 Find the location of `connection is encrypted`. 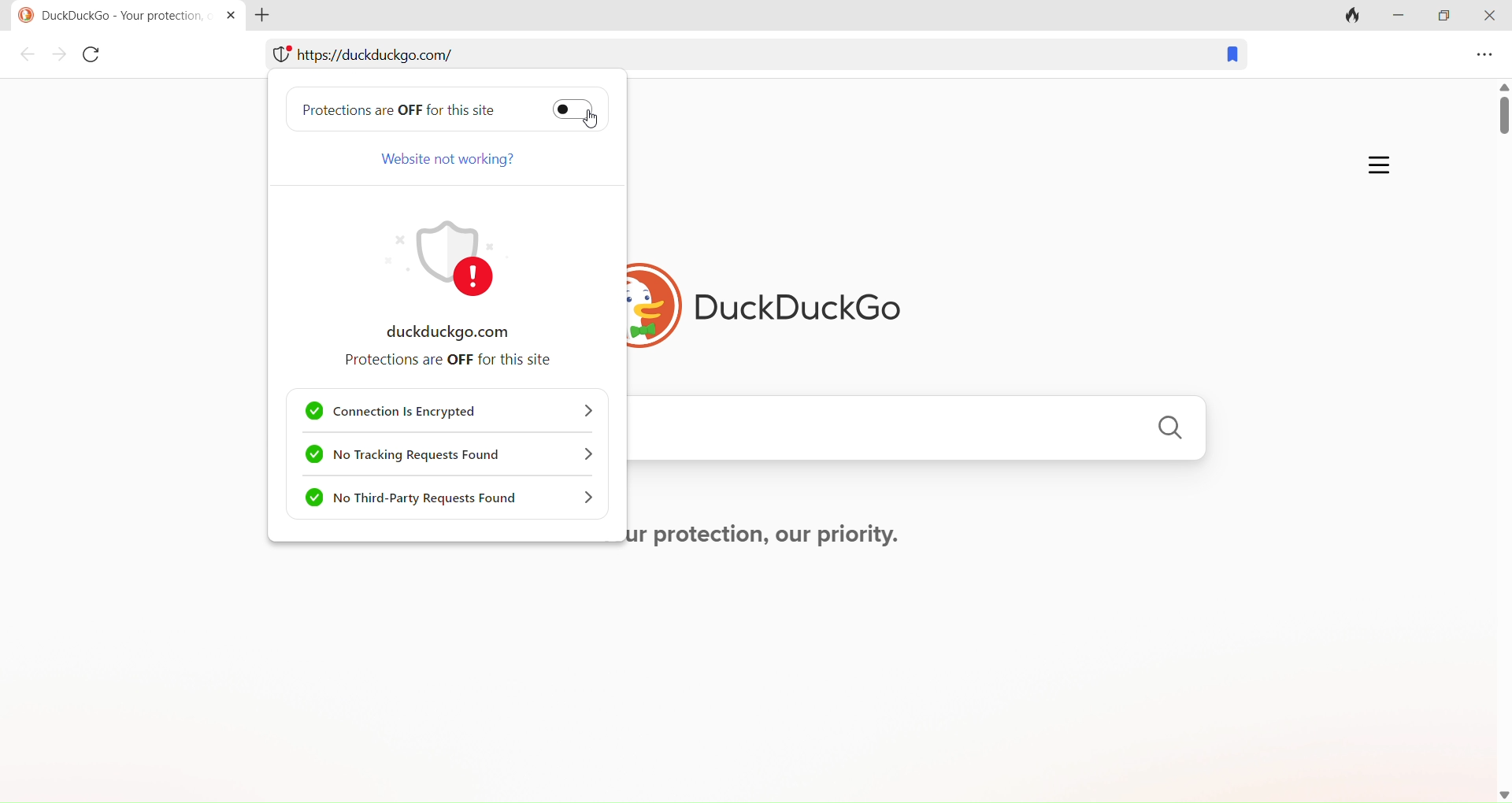

connection is encrypted is located at coordinates (443, 411).